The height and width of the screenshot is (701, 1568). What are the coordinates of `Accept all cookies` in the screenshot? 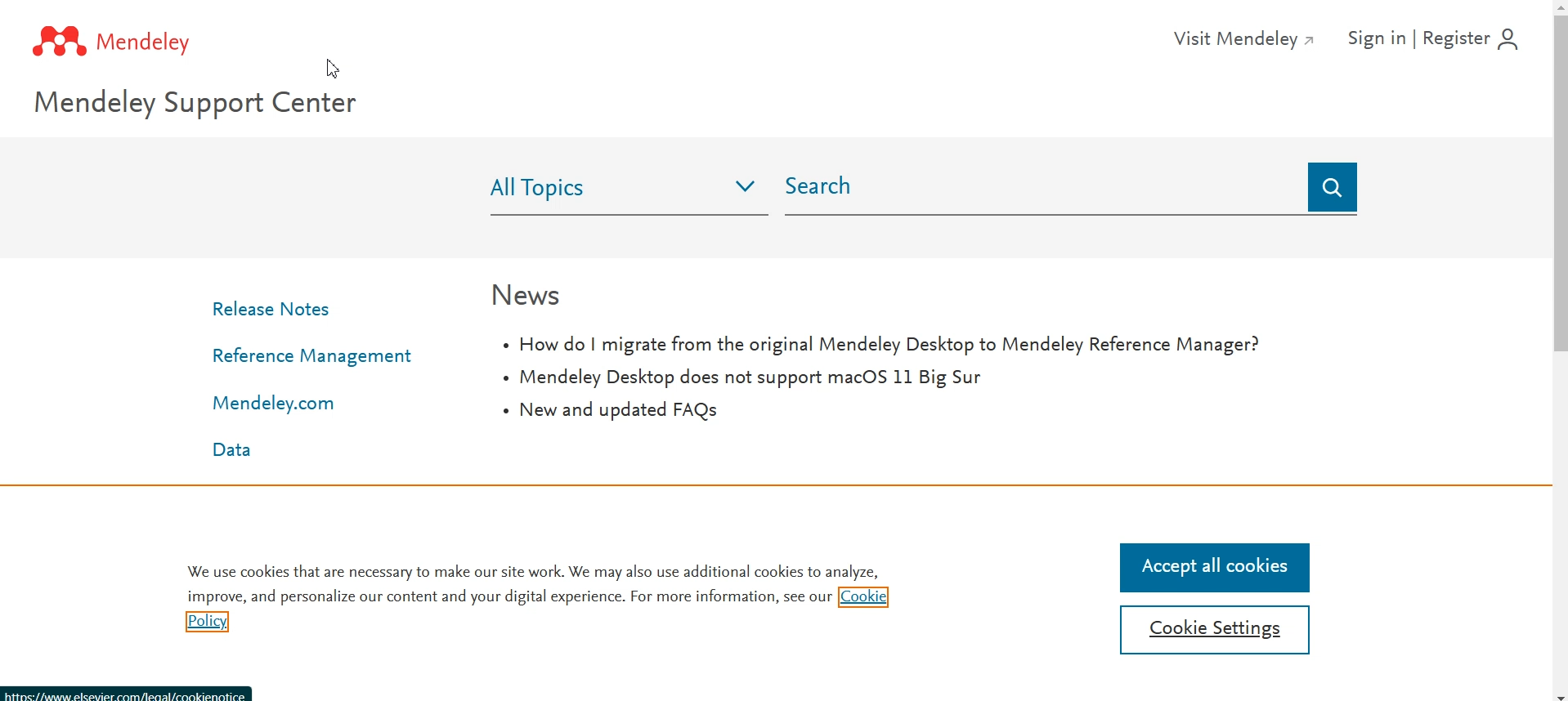 It's located at (1216, 568).